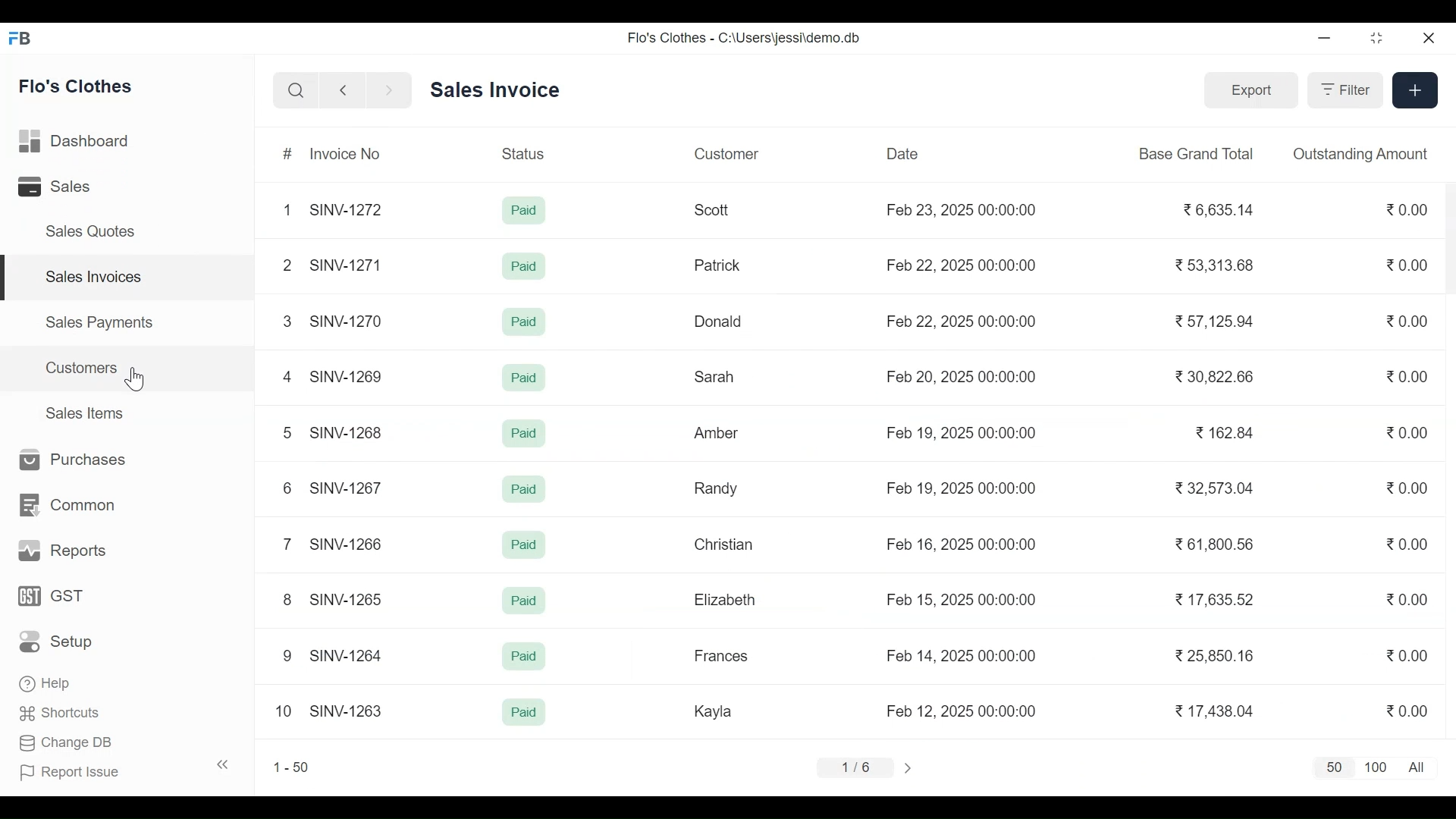  I want to click on Elizabeth, so click(722, 598).